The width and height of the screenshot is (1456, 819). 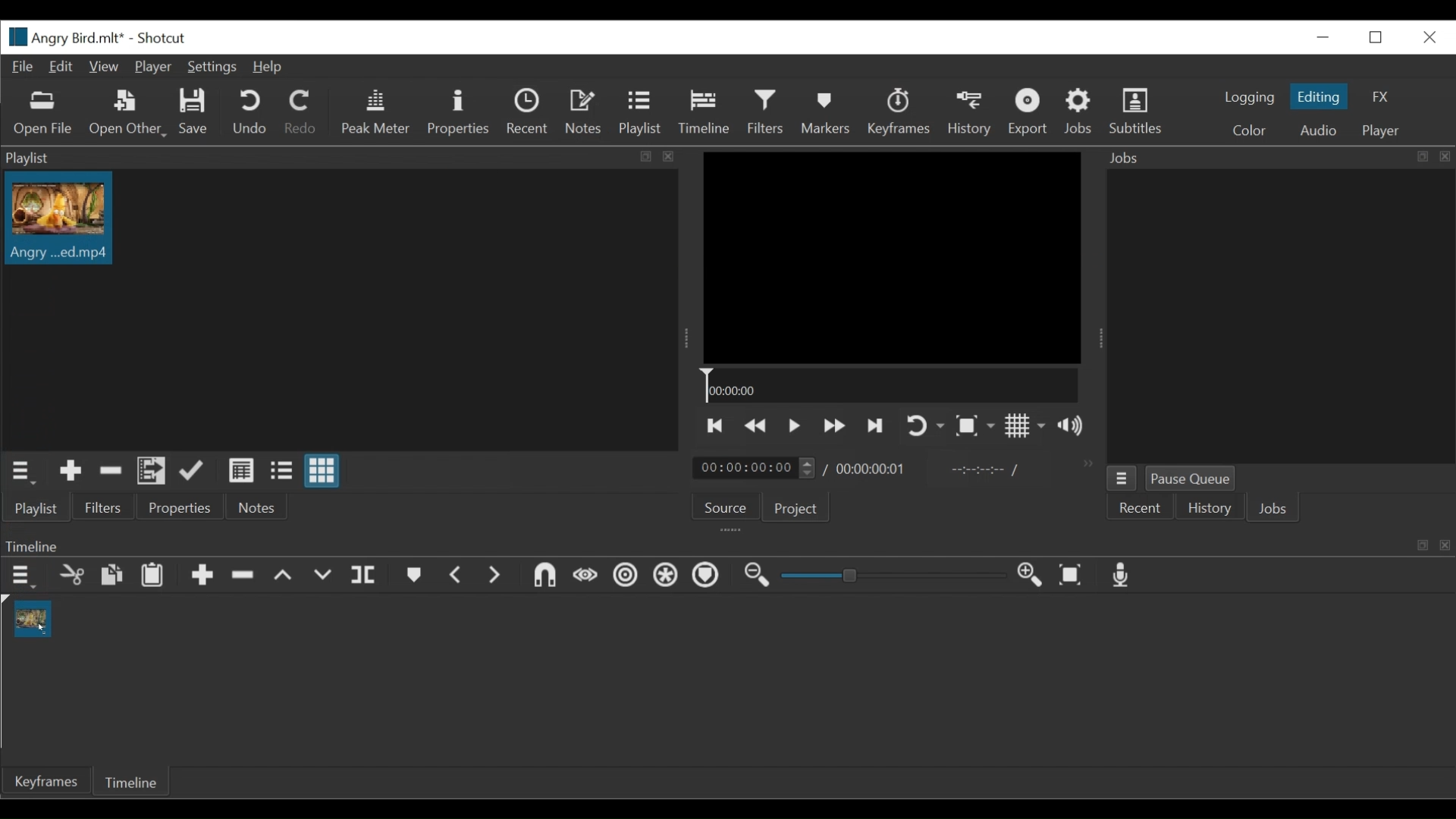 I want to click on Notes, so click(x=584, y=110).